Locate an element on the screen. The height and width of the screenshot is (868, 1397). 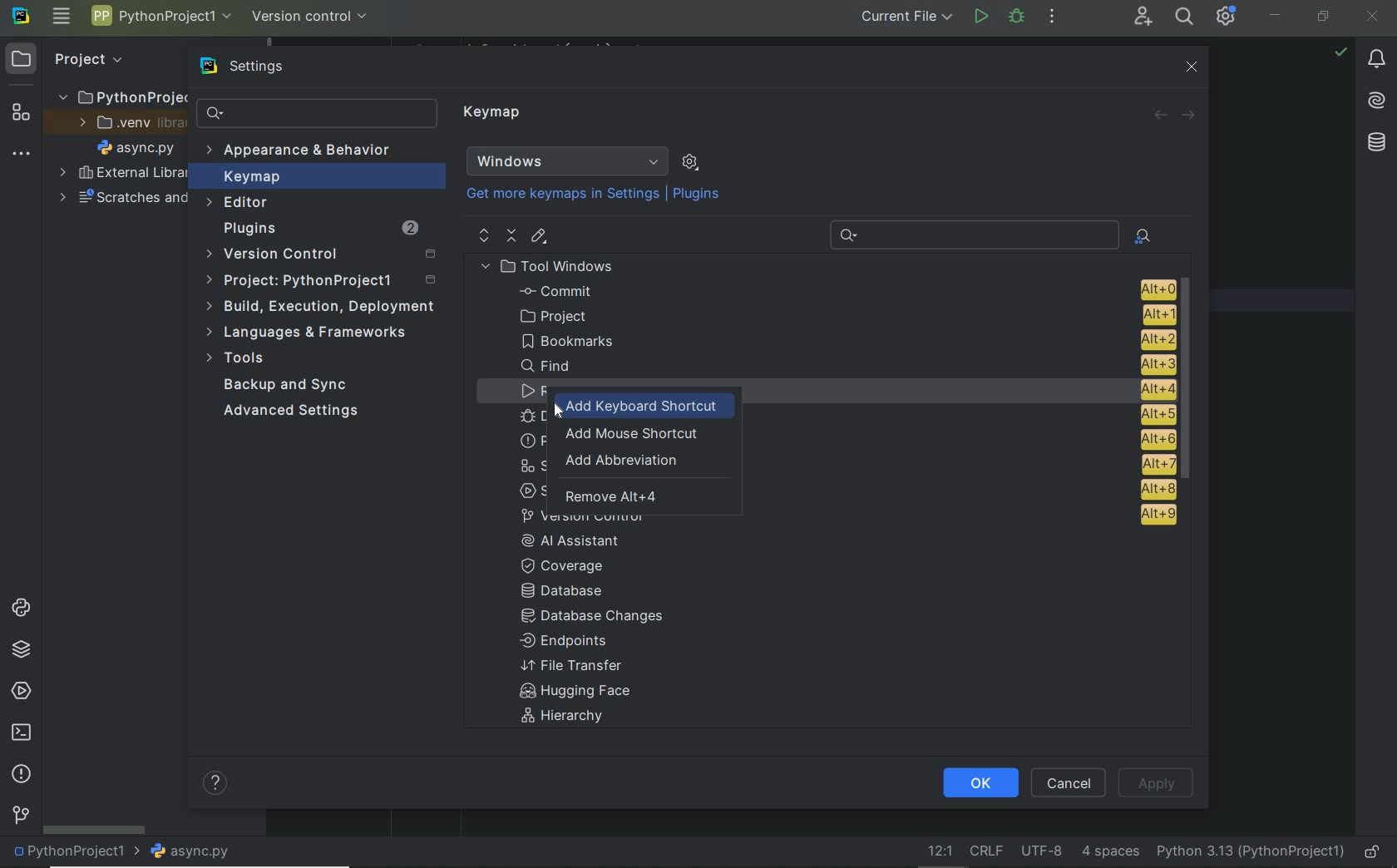
PythonProject is located at coordinates (122, 96).